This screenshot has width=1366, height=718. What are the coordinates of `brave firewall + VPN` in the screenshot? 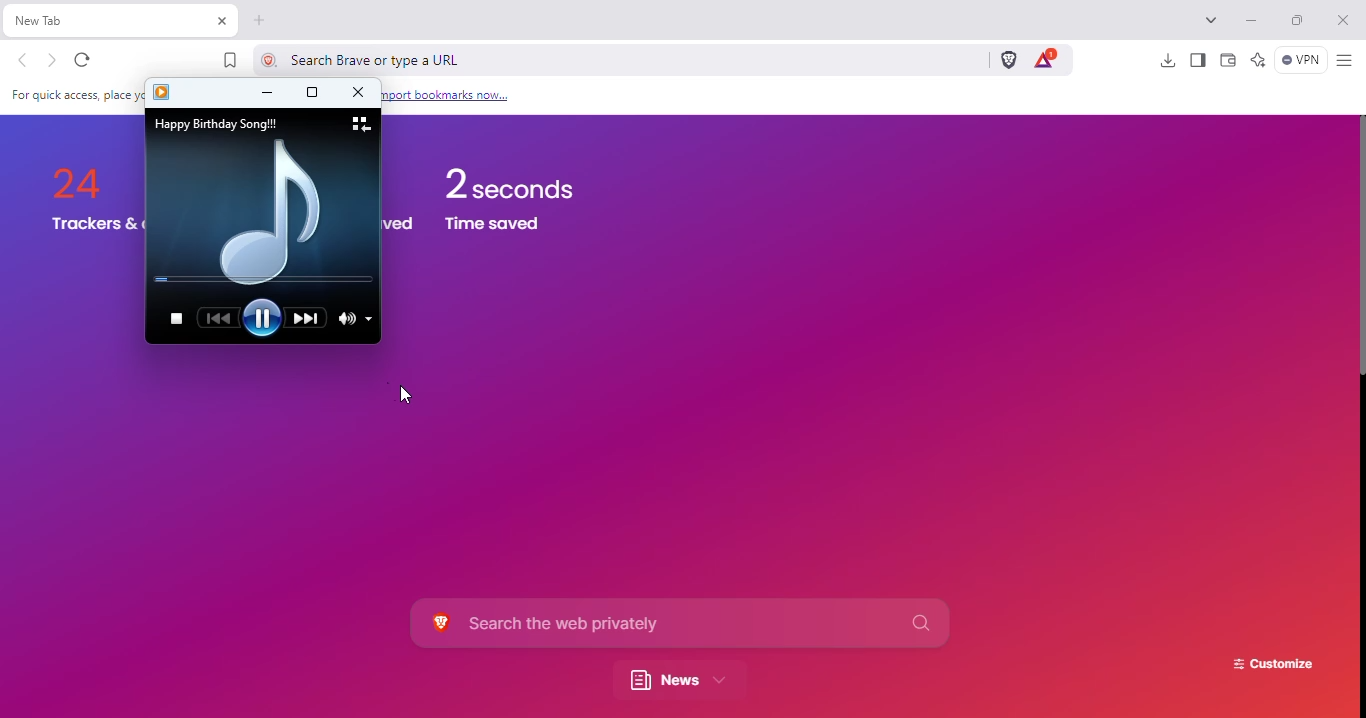 It's located at (1300, 59).